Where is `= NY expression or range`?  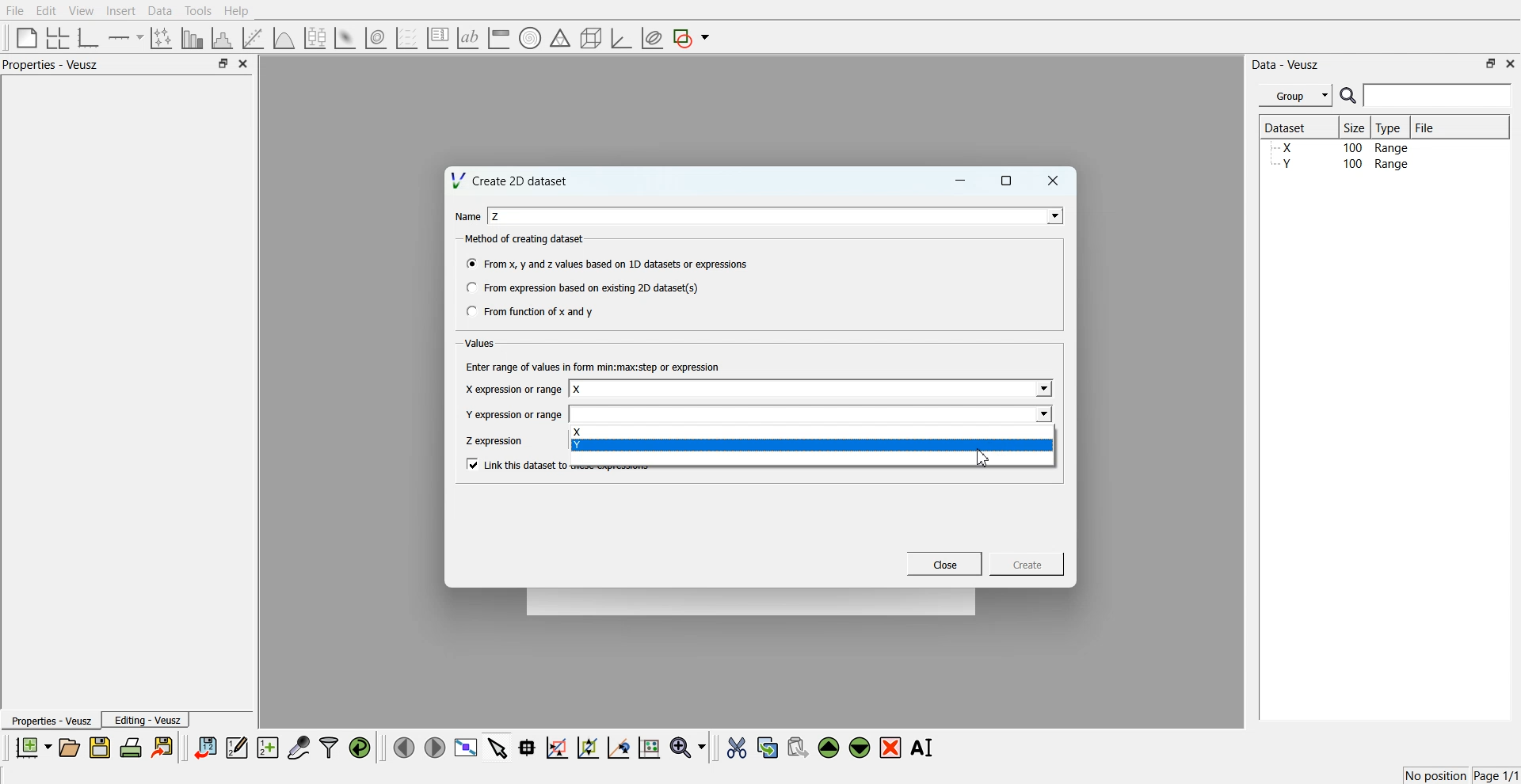
= NY expression or range is located at coordinates (514, 414).